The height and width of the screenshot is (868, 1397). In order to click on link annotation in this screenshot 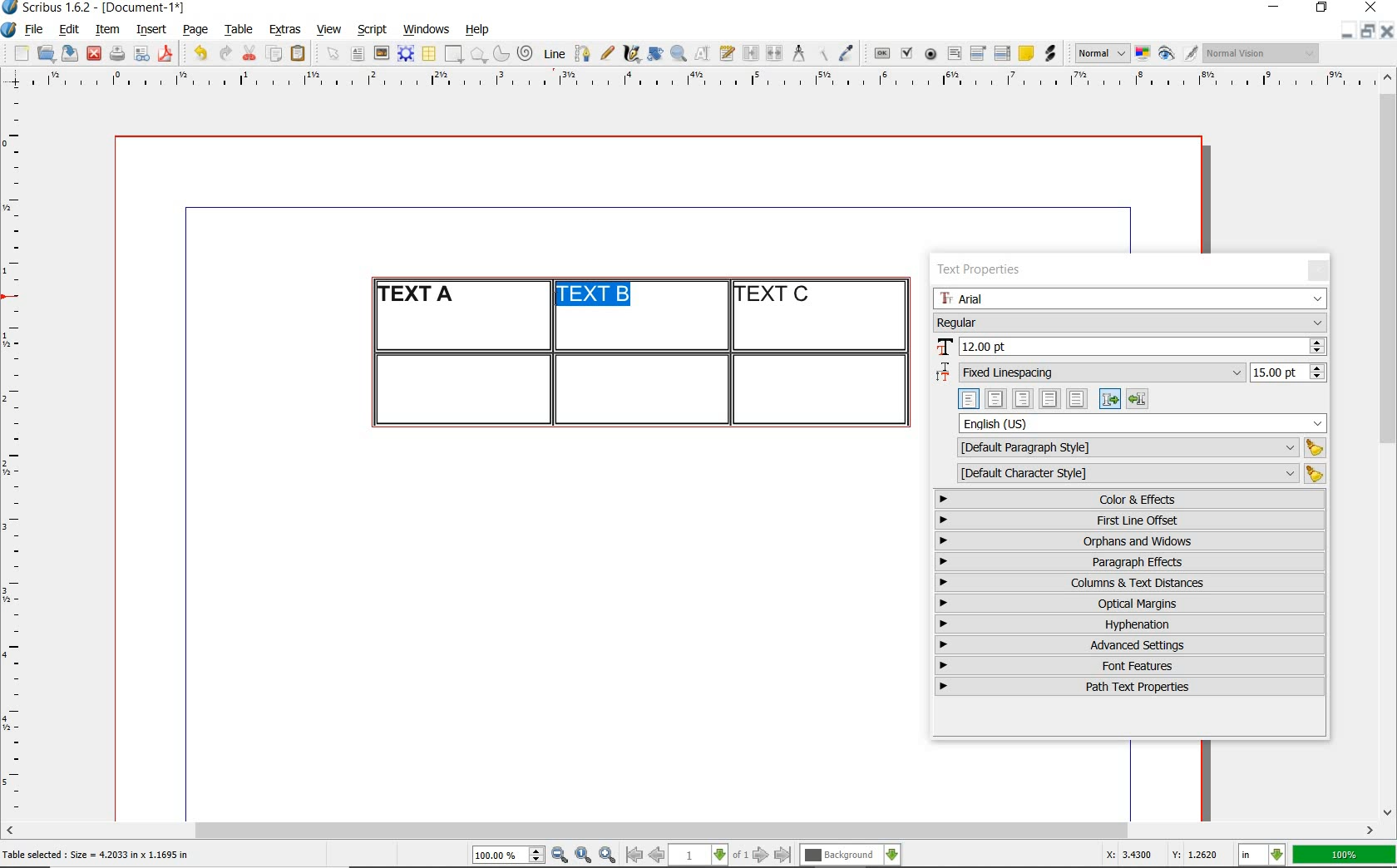, I will do `click(1052, 53)`.